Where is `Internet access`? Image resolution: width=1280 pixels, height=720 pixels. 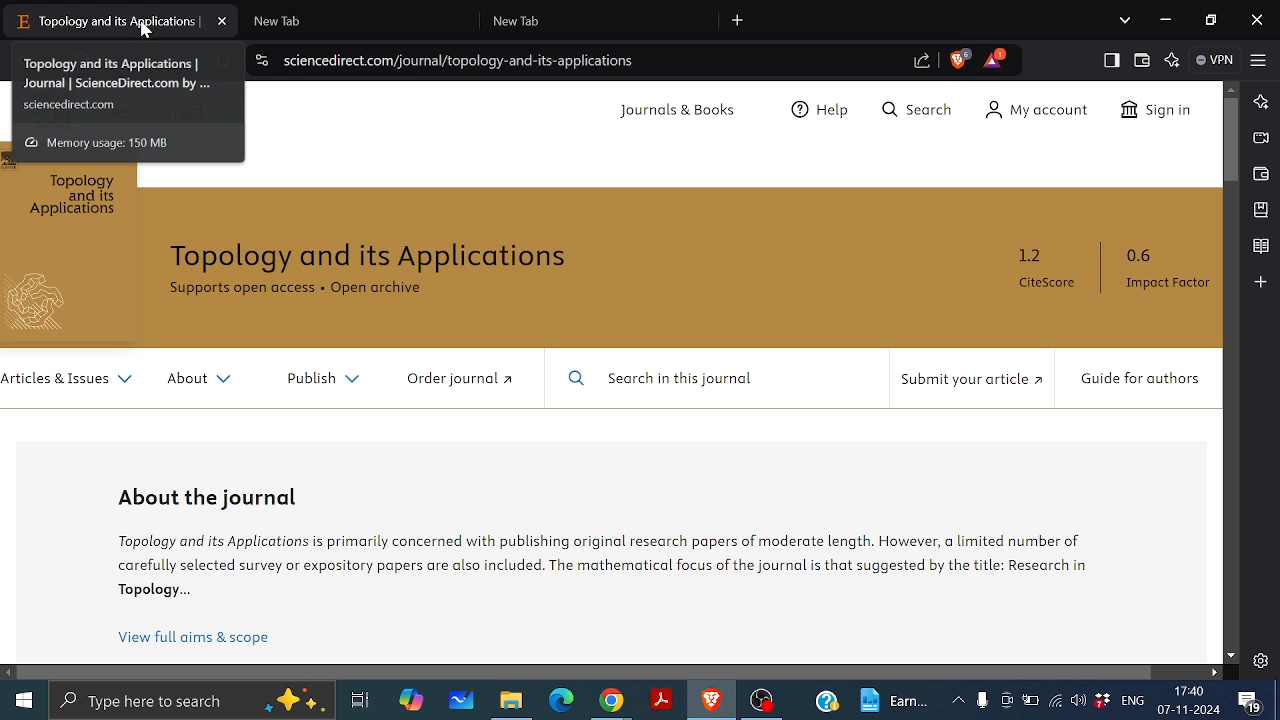
Internet access is located at coordinates (1055, 701).